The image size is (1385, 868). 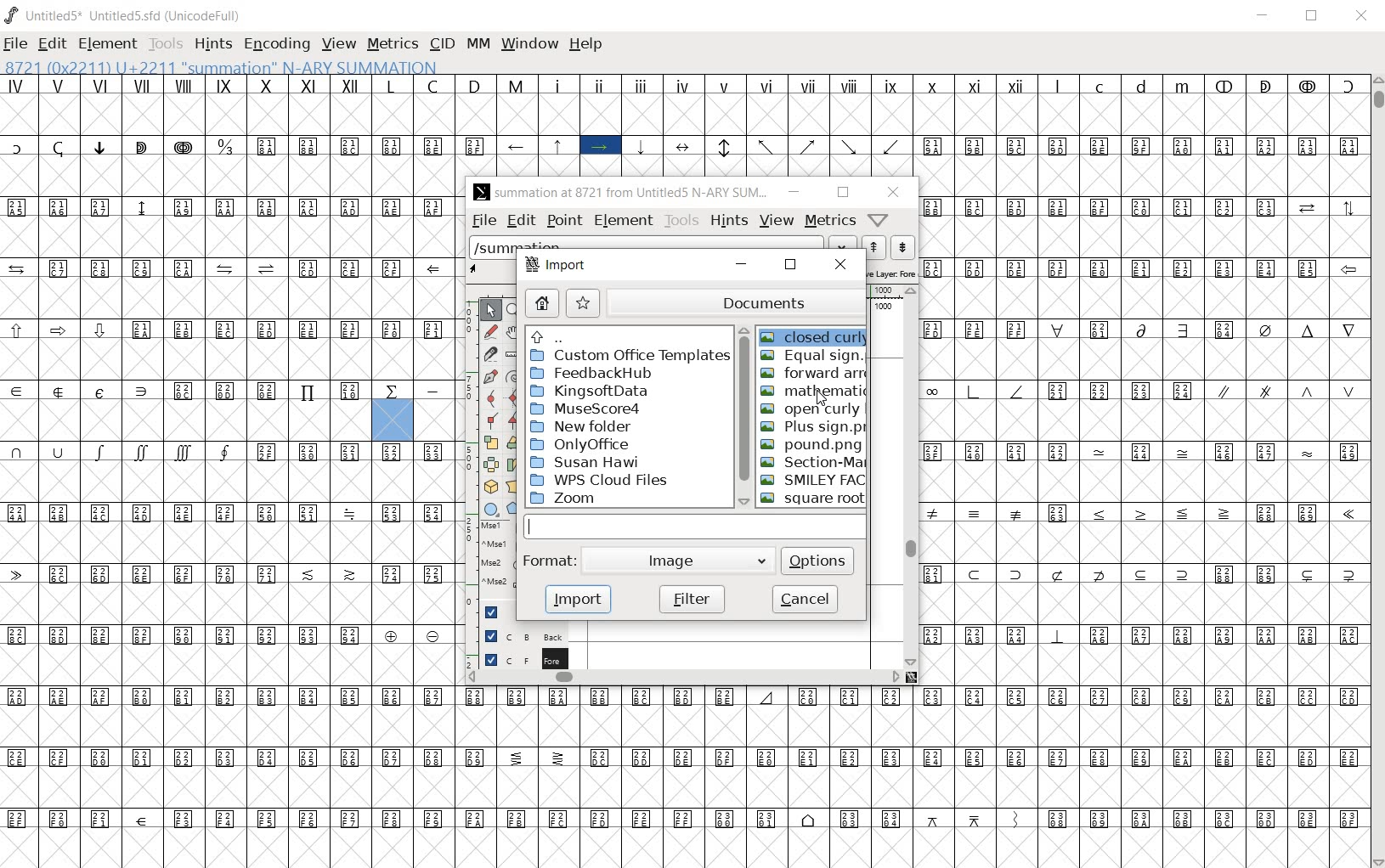 I want to click on change whether spiro is active or not, so click(x=514, y=375).